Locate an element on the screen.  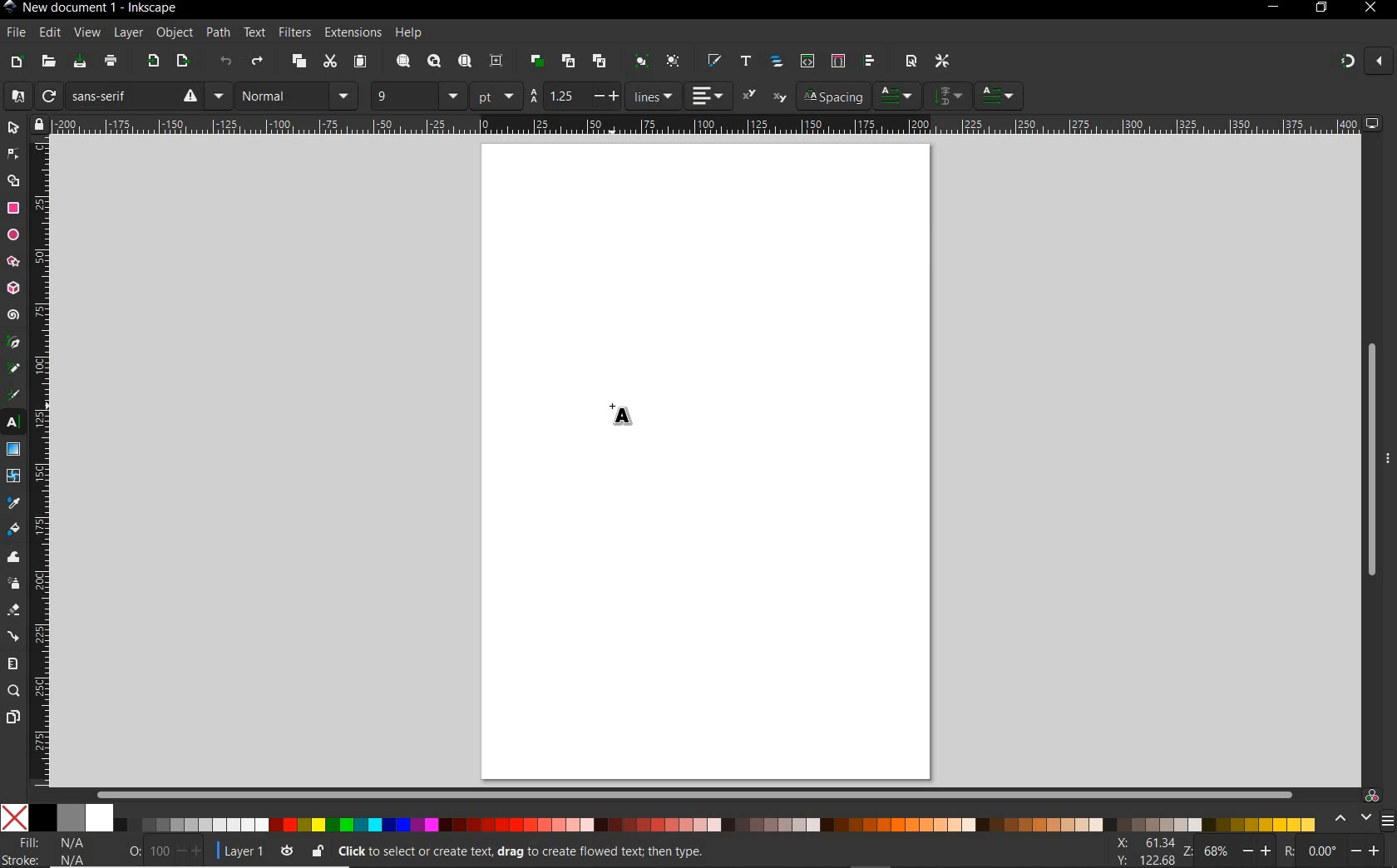
68 is located at coordinates (1217, 851).